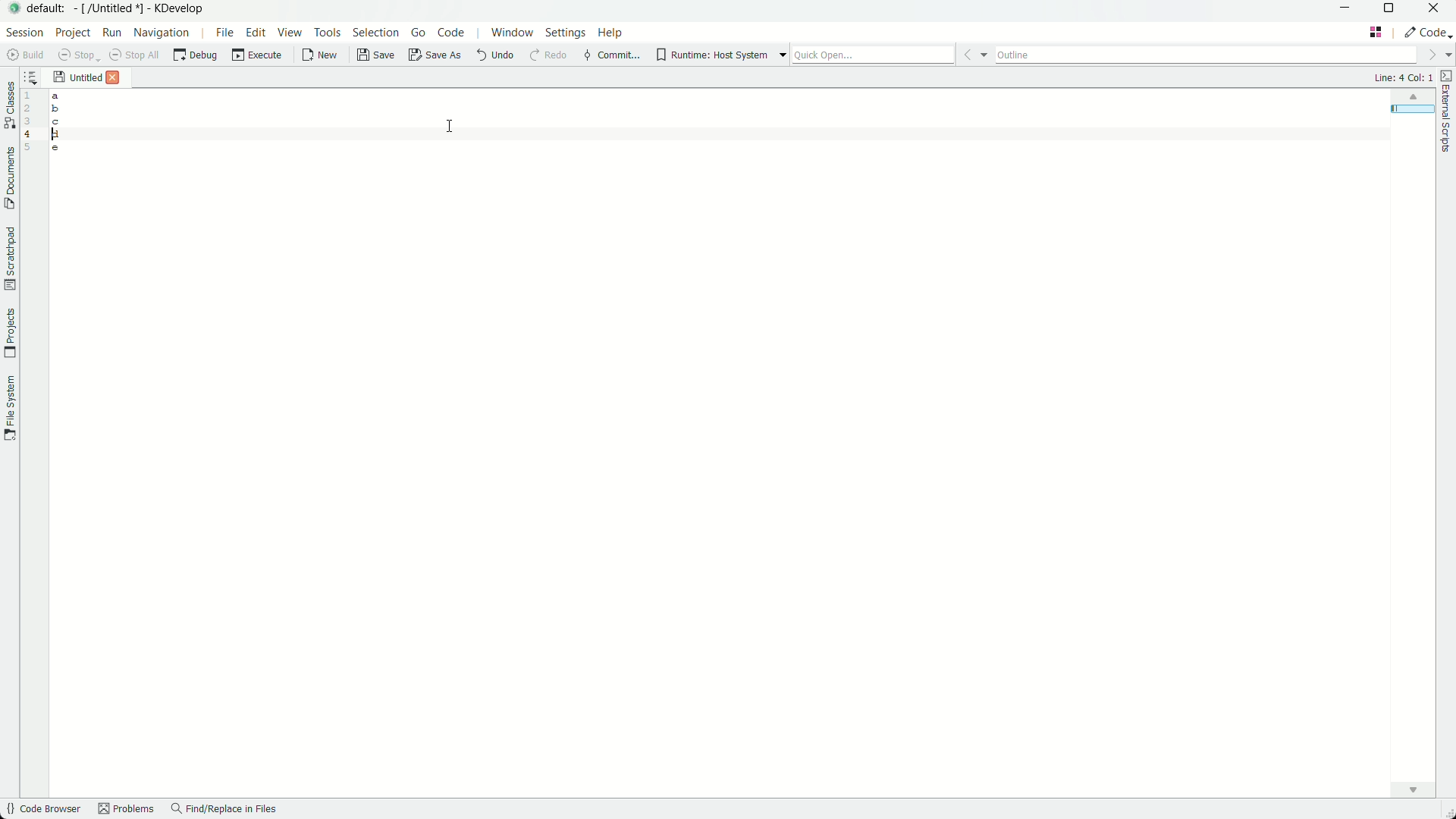 The height and width of the screenshot is (819, 1456). What do you see at coordinates (22, 55) in the screenshot?
I see `build` at bounding box center [22, 55].